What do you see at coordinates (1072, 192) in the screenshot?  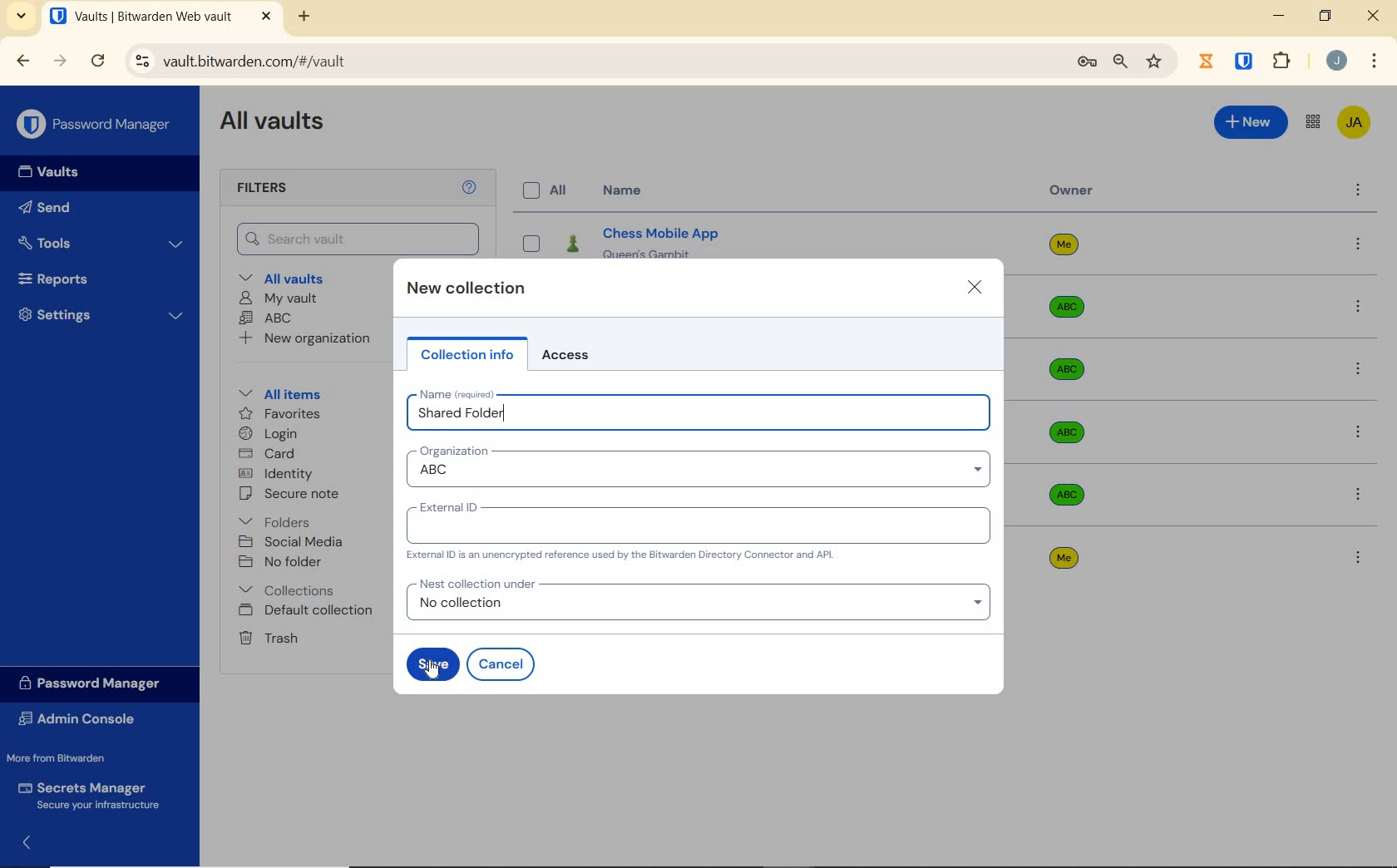 I see `owner` at bounding box center [1072, 192].